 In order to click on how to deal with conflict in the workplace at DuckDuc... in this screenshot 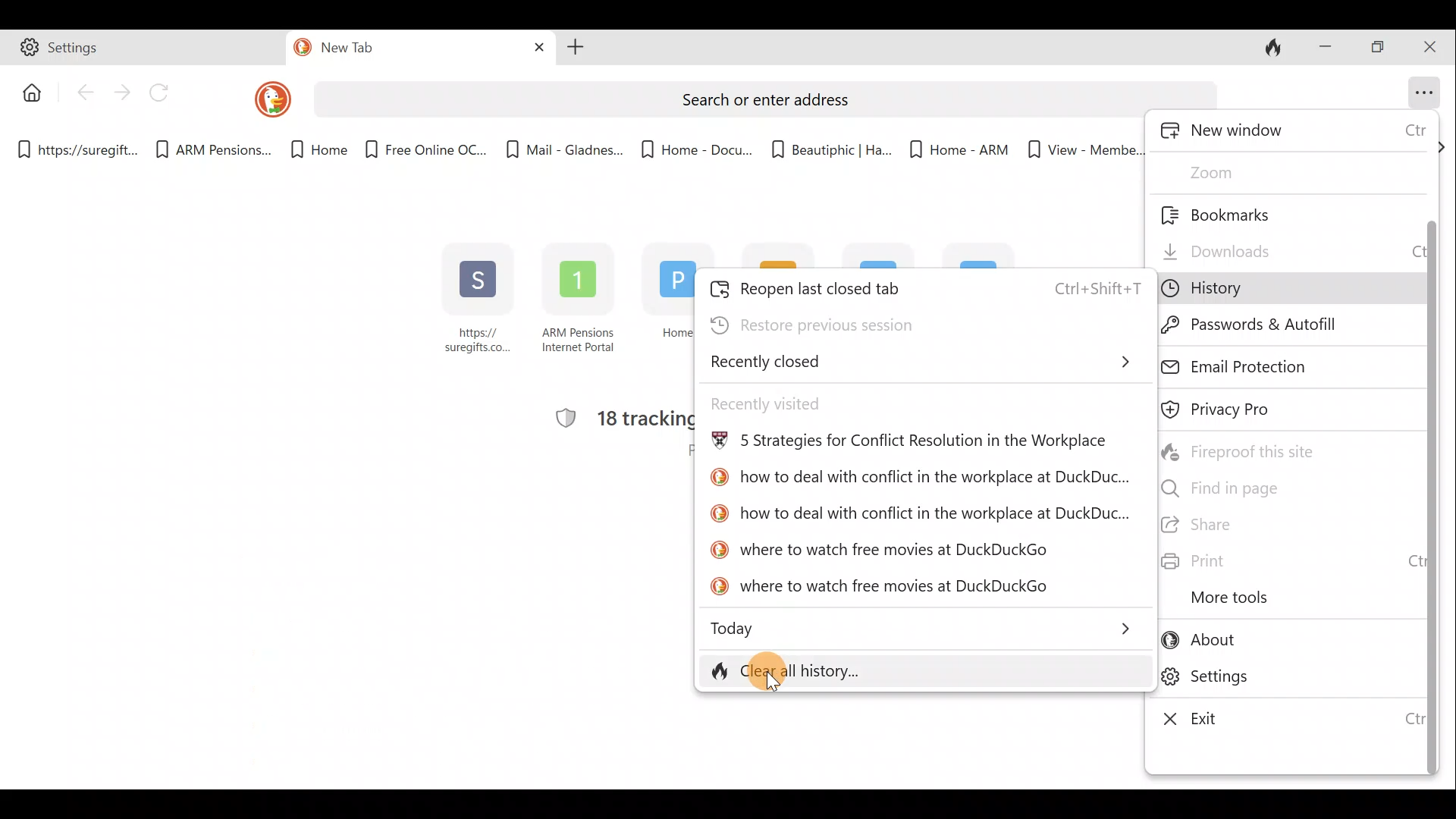, I will do `click(919, 513)`.